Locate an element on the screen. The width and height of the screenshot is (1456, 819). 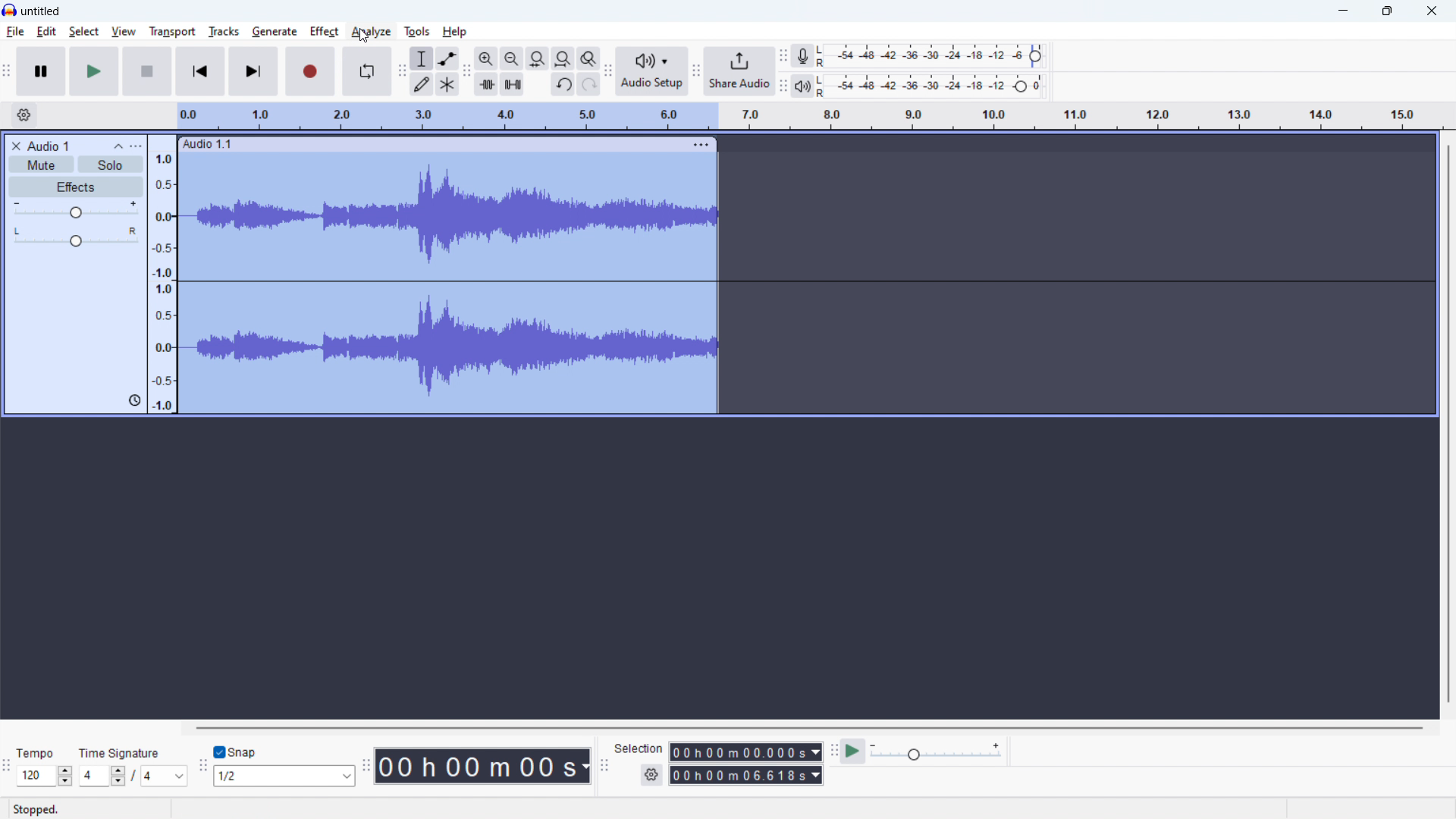
select is located at coordinates (84, 31).